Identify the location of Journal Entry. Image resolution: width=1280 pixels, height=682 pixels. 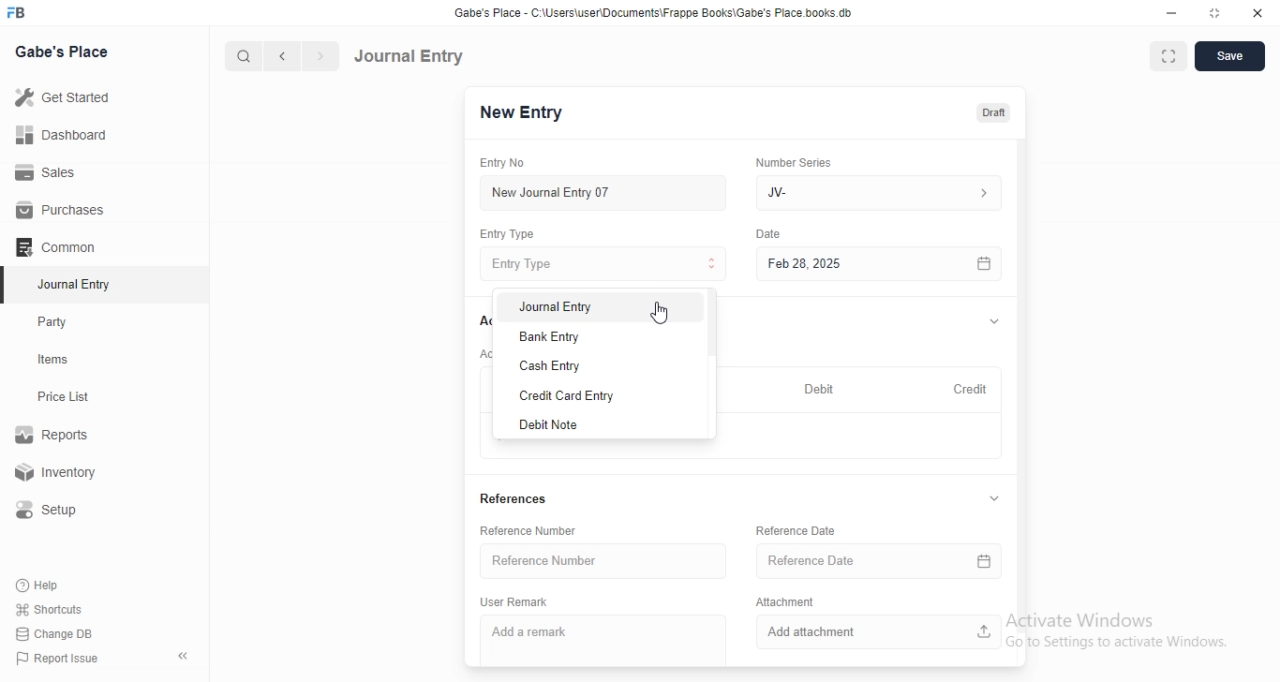
(560, 307).